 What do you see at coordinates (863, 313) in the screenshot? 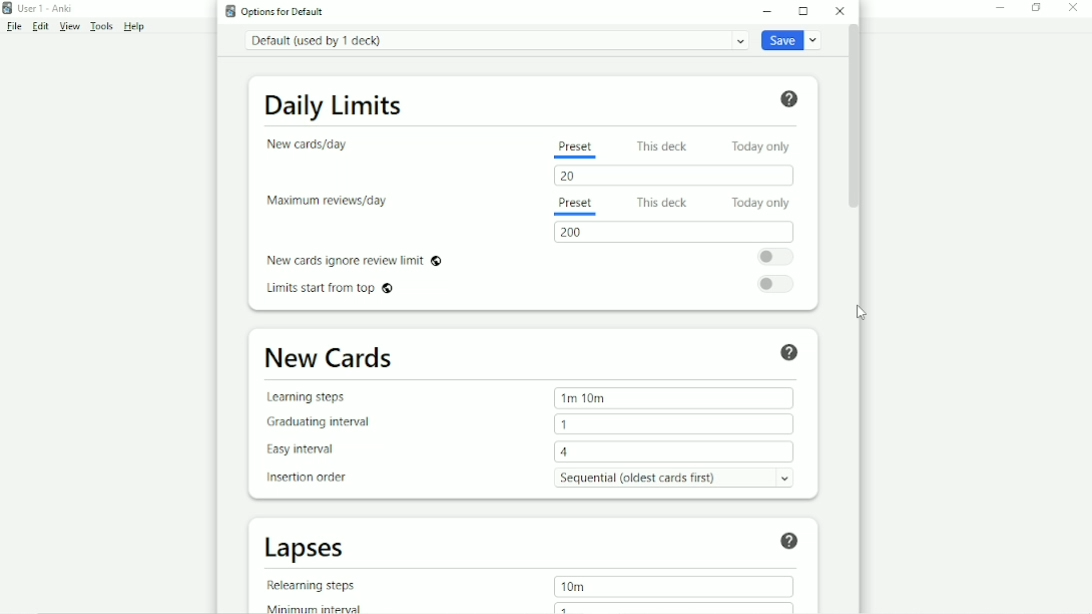
I see `Cursor` at bounding box center [863, 313].